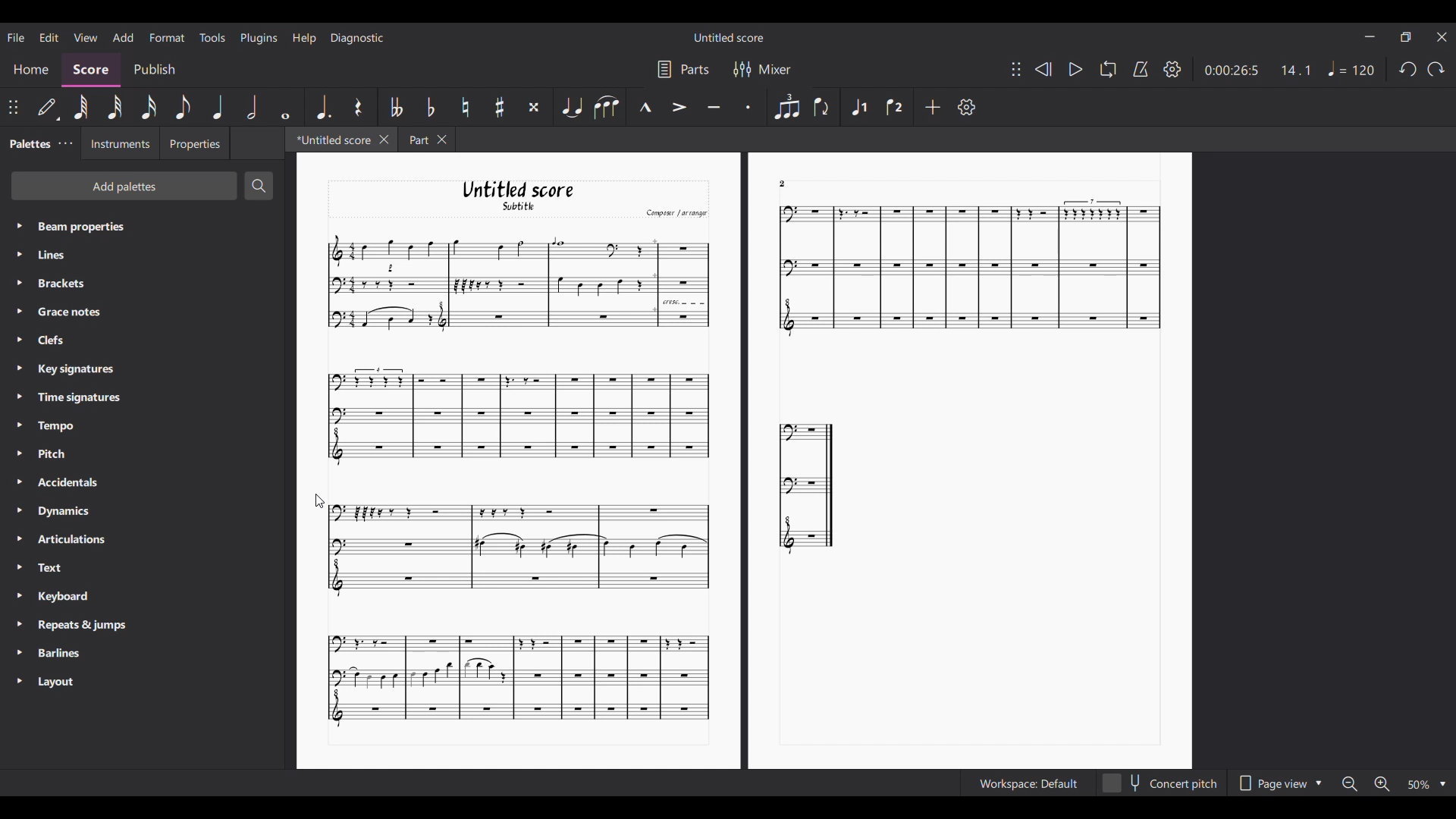  What do you see at coordinates (252, 107) in the screenshot?
I see `Half note` at bounding box center [252, 107].